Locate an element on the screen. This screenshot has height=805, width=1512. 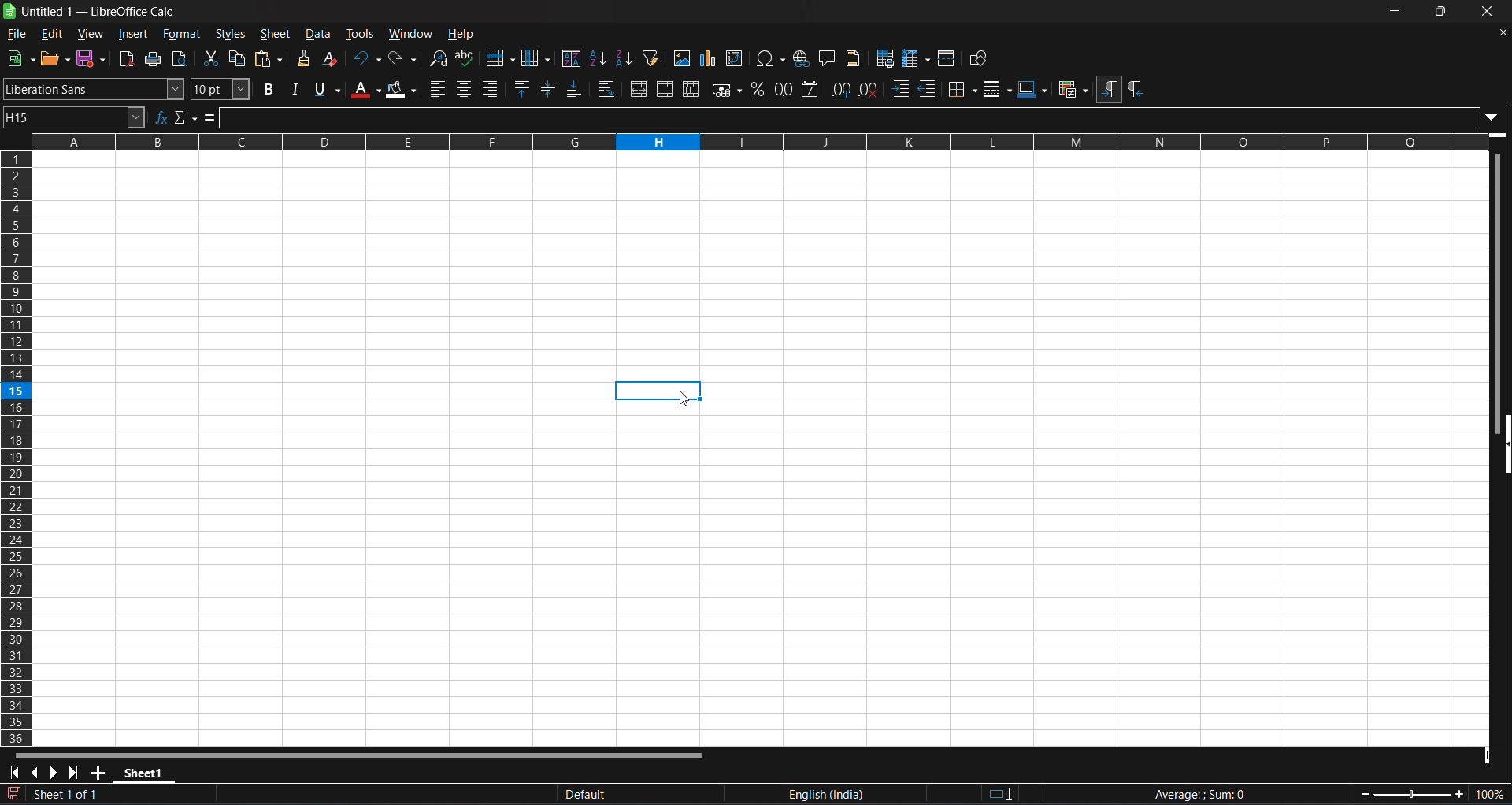
split window is located at coordinates (947, 57).